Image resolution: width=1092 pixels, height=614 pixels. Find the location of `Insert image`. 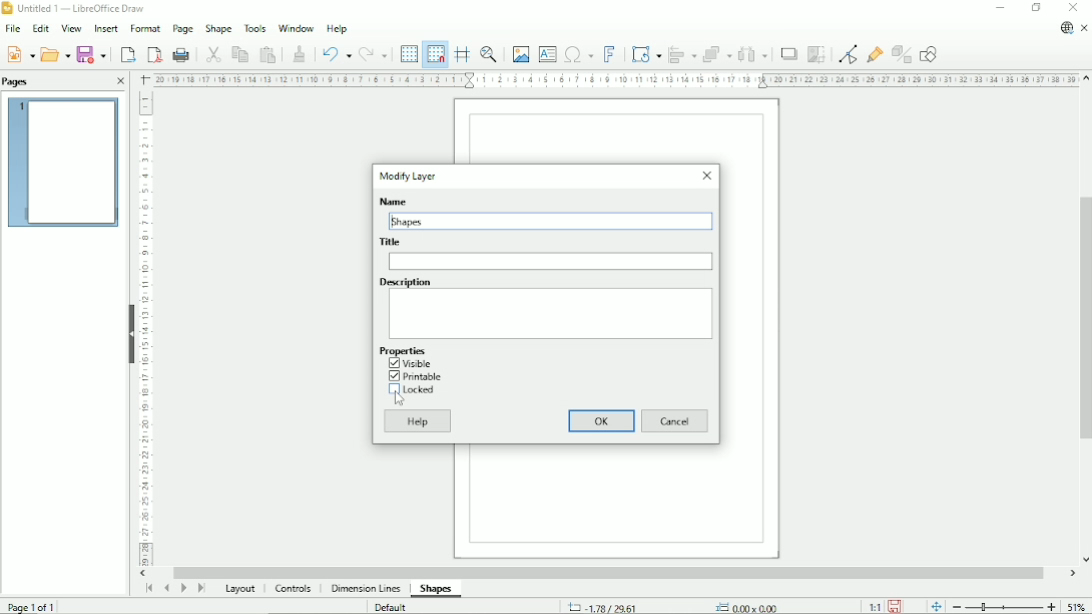

Insert image is located at coordinates (520, 52).